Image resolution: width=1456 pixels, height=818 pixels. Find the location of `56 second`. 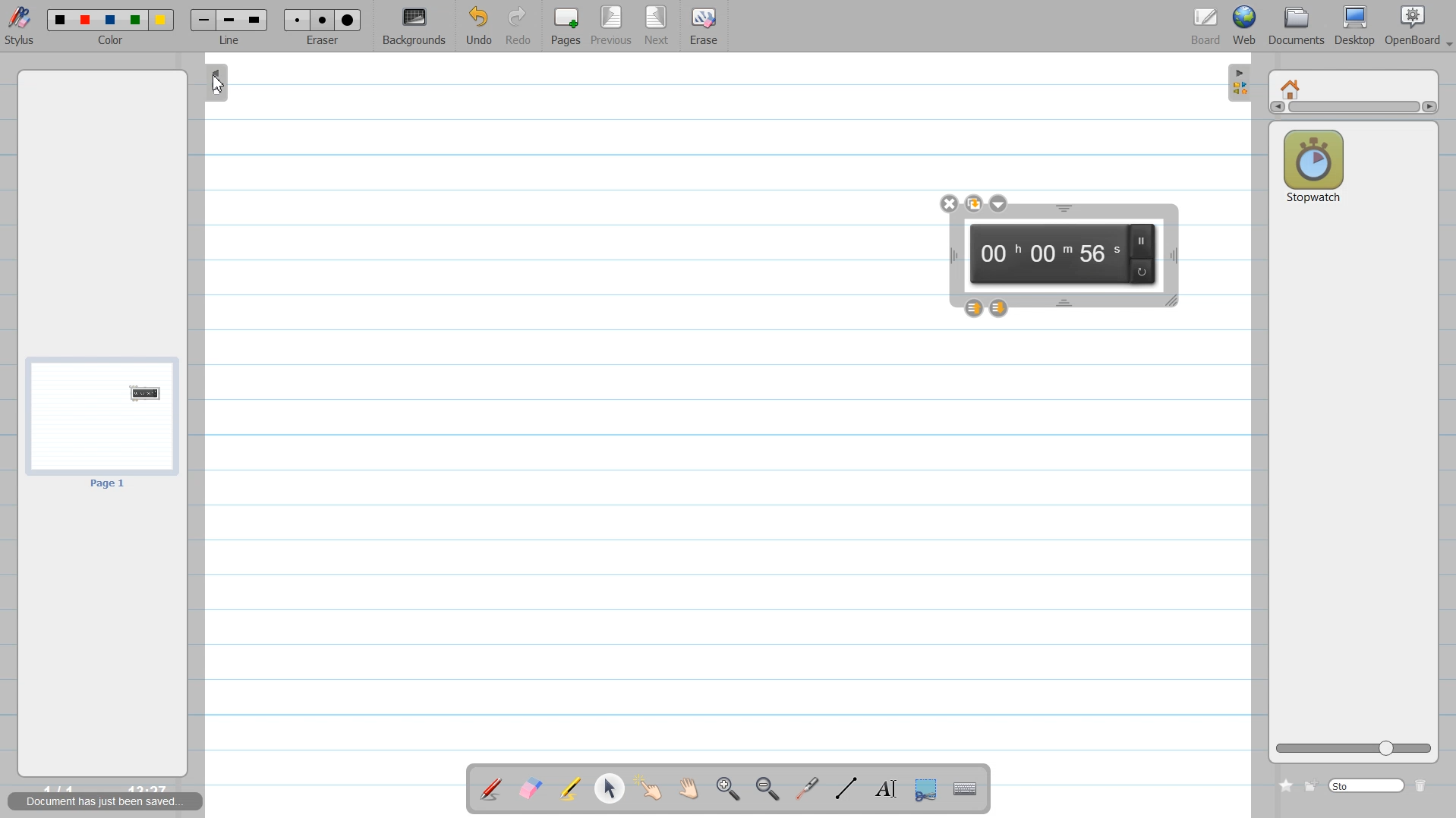

56 second is located at coordinates (1098, 253).